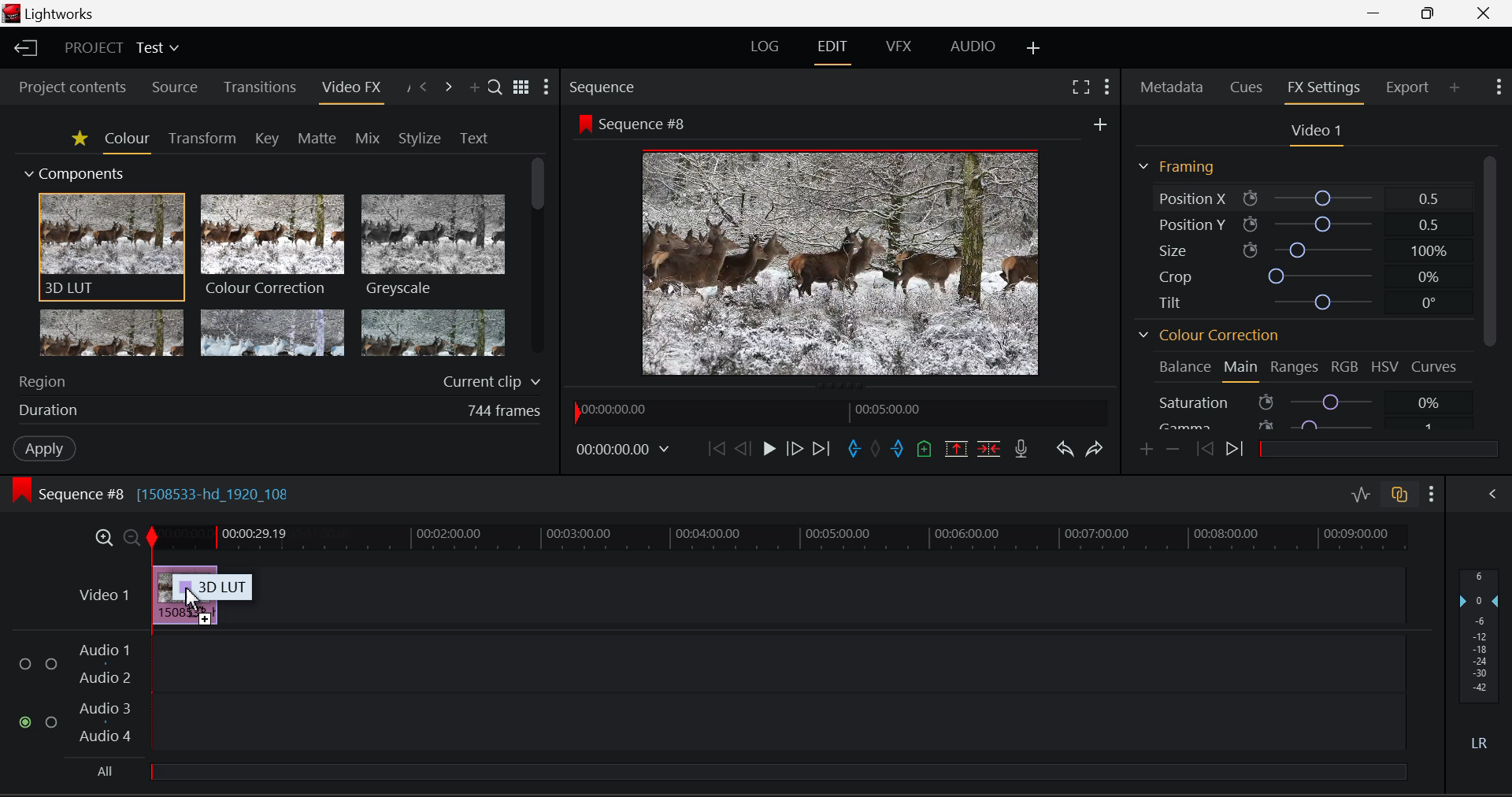  What do you see at coordinates (1095, 450) in the screenshot?
I see `Redo` at bounding box center [1095, 450].